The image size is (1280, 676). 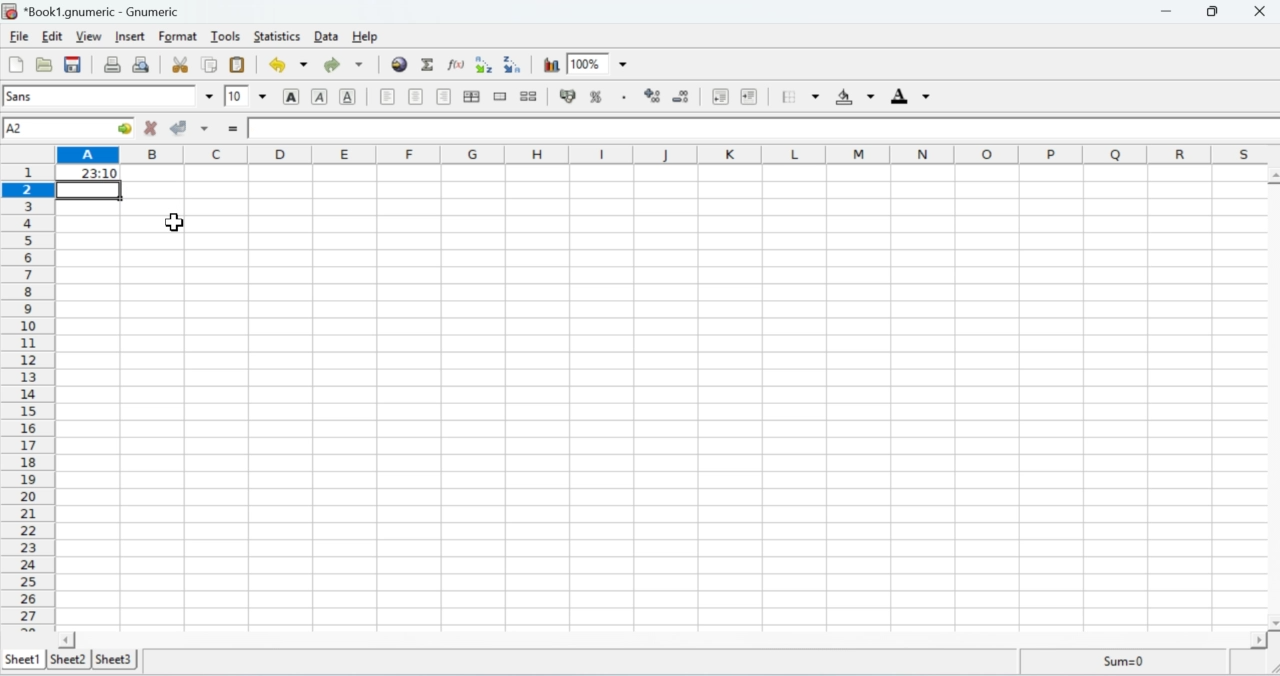 What do you see at coordinates (23, 659) in the screenshot?
I see `Sheet 1 ` at bounding box center [23, 659].